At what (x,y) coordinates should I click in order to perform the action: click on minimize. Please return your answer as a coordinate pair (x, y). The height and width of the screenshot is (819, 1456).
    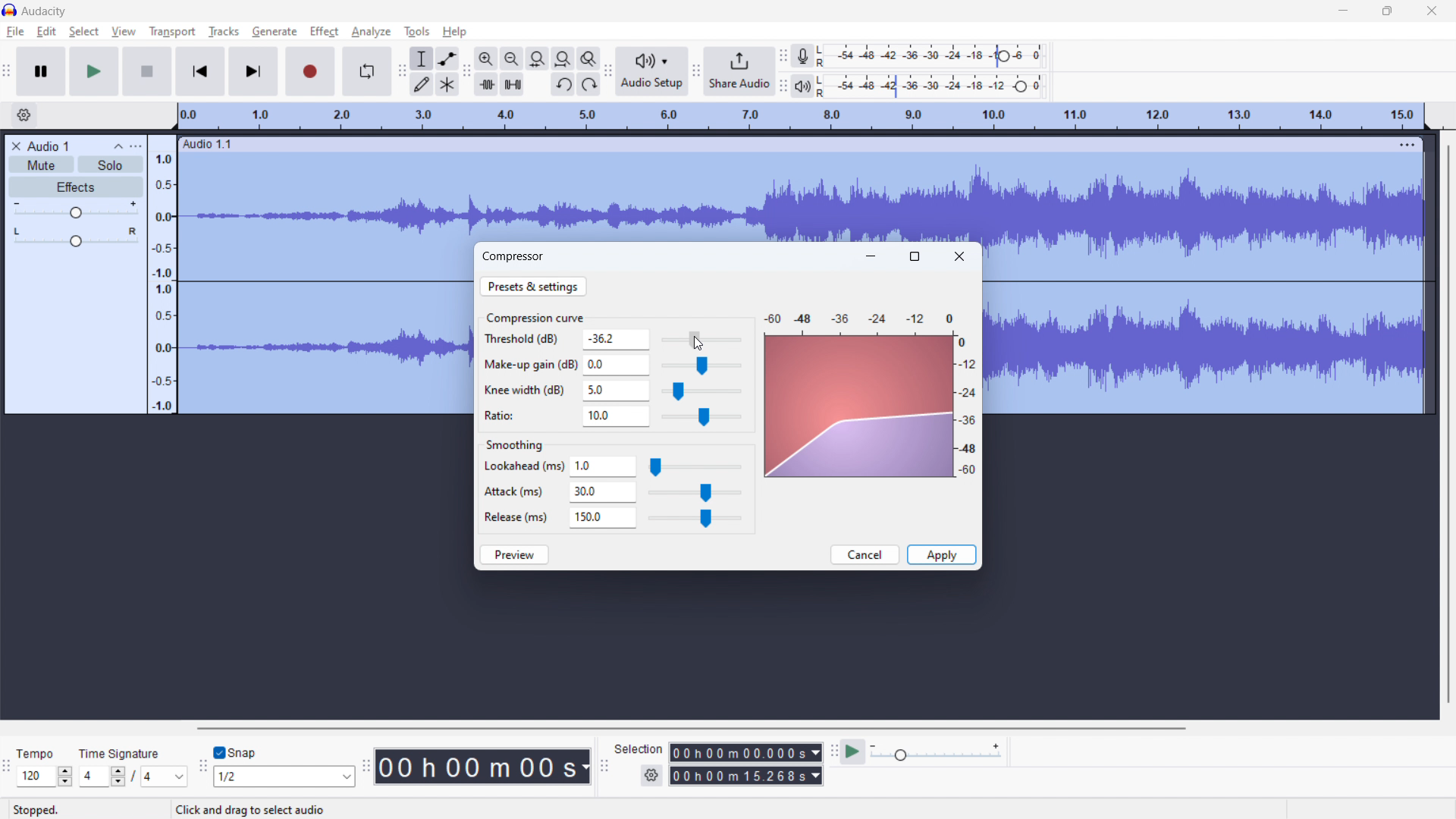
    Looking at the image, I should click on (871, 256).